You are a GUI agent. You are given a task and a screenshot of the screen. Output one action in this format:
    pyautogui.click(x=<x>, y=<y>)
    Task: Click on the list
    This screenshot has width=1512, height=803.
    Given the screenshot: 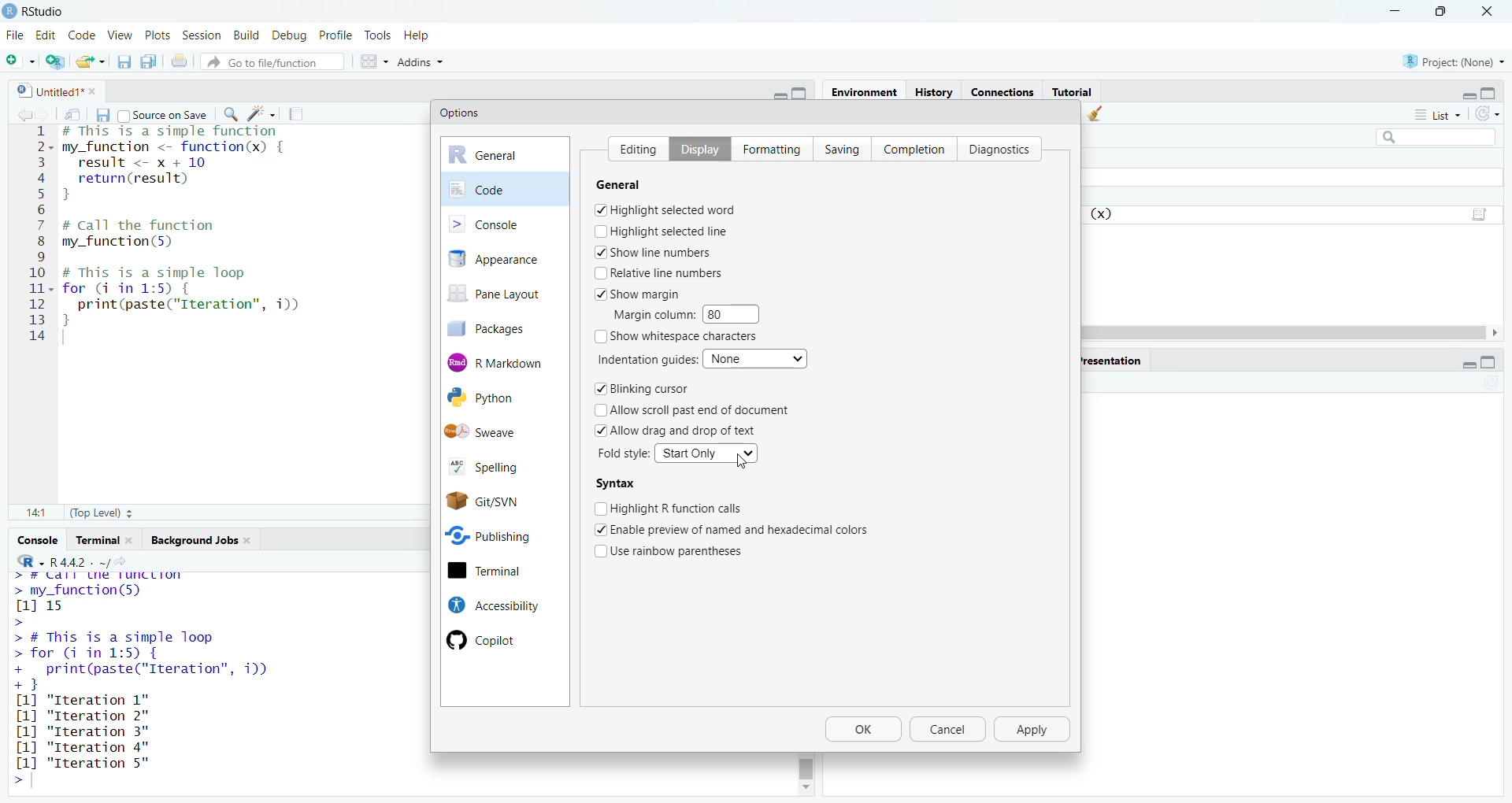 What is the action you would take?
    pyautogui.click(x=1436, y=117)
    